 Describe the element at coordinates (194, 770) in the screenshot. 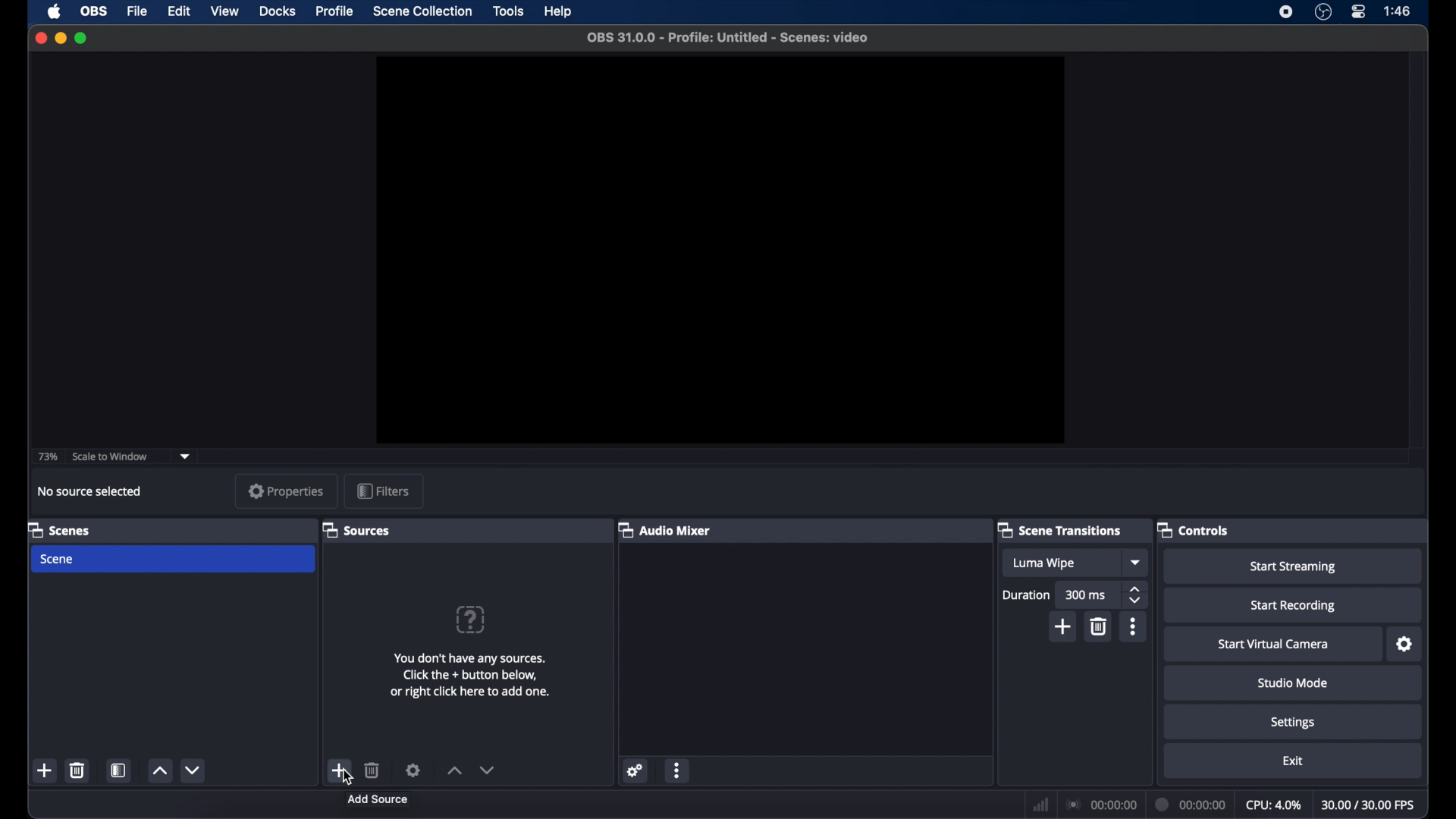

I see `decrement` at that location.